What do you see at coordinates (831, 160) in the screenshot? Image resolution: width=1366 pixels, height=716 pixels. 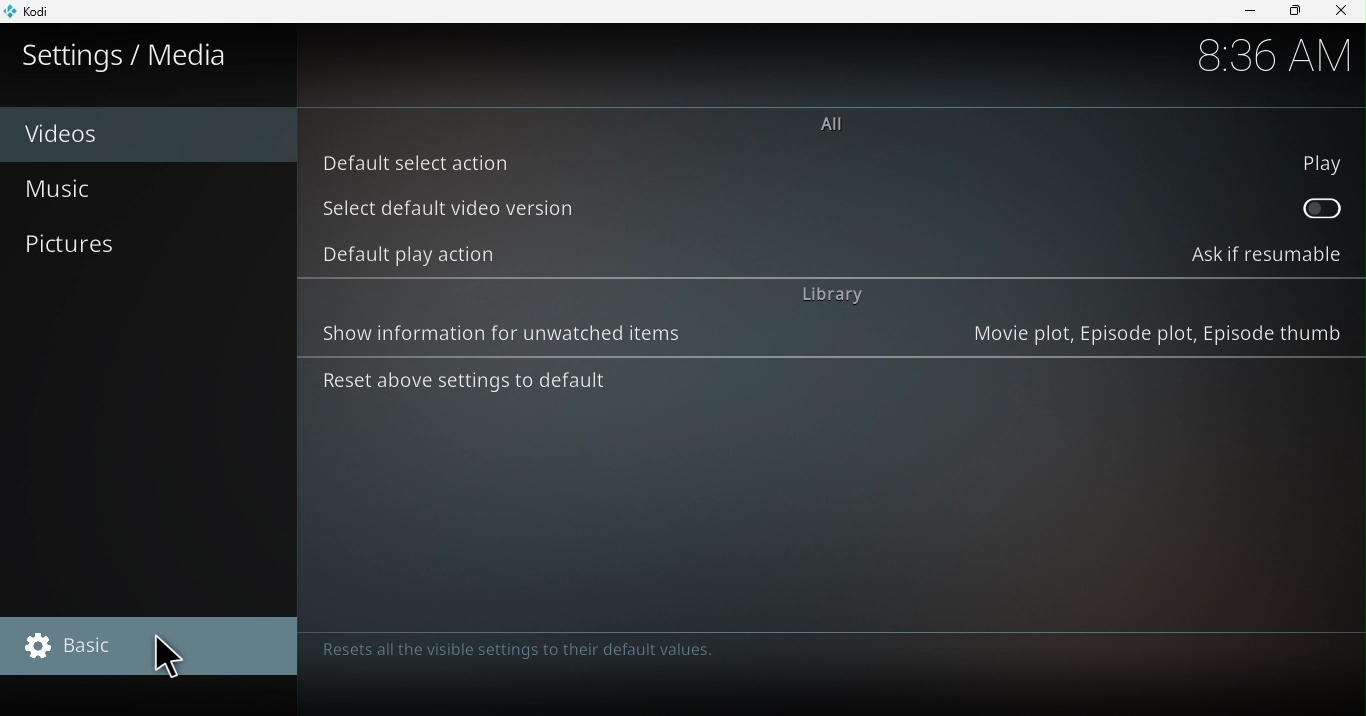 I see `Default select action : Play` at bounding box center [831, 160].